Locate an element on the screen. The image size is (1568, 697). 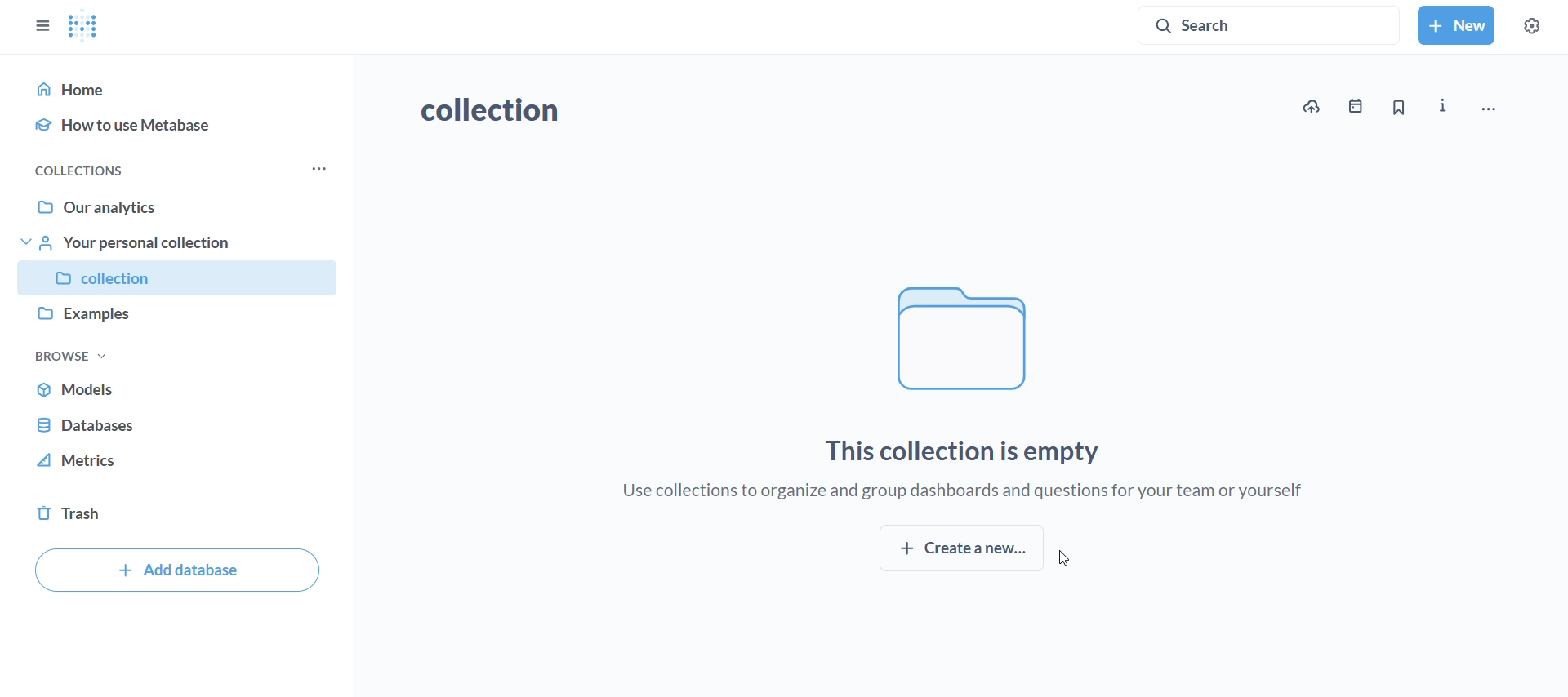
collection is located at coordinates (185, 282).